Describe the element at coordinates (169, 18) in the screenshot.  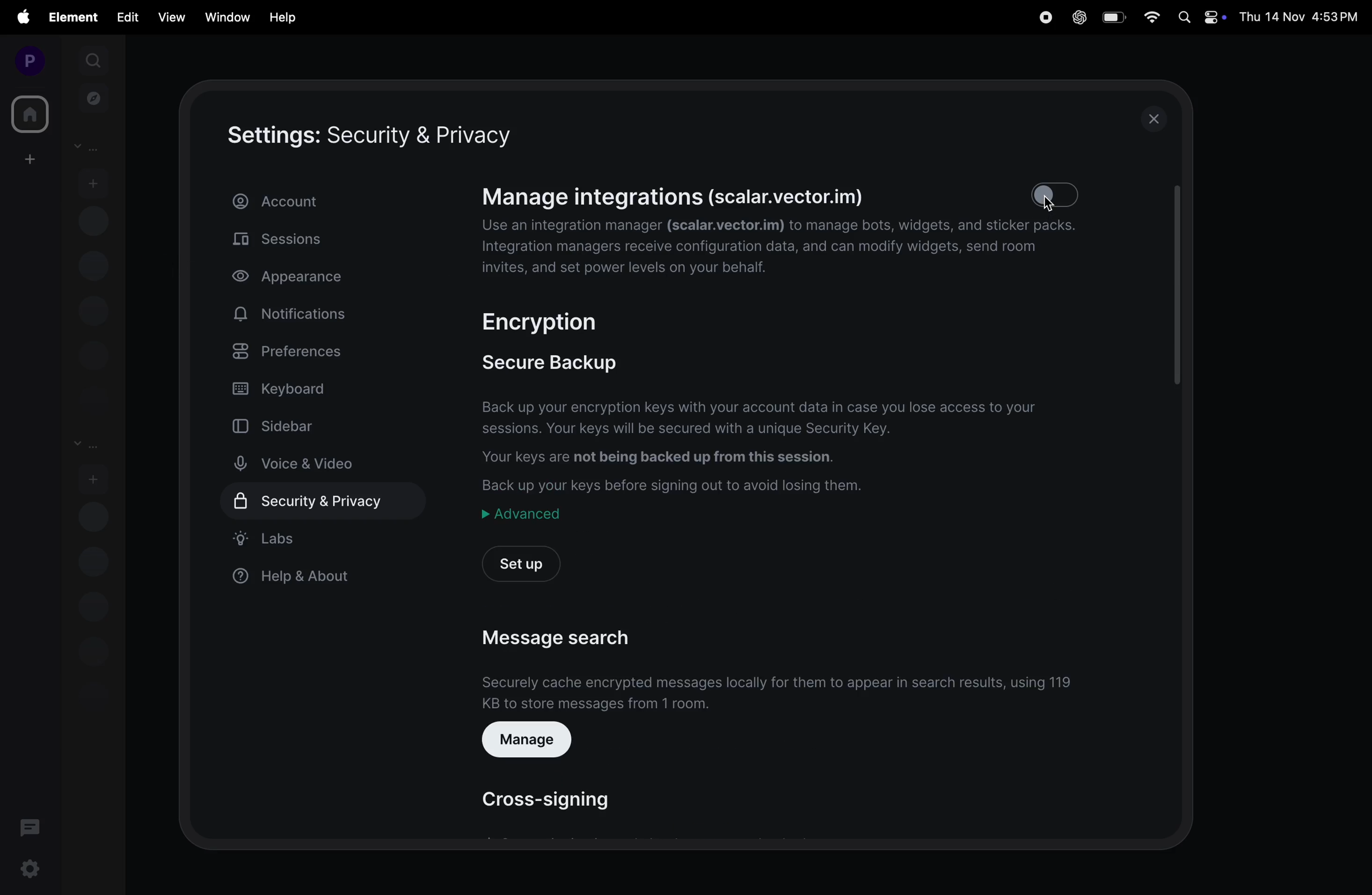
I see `view` at that location.